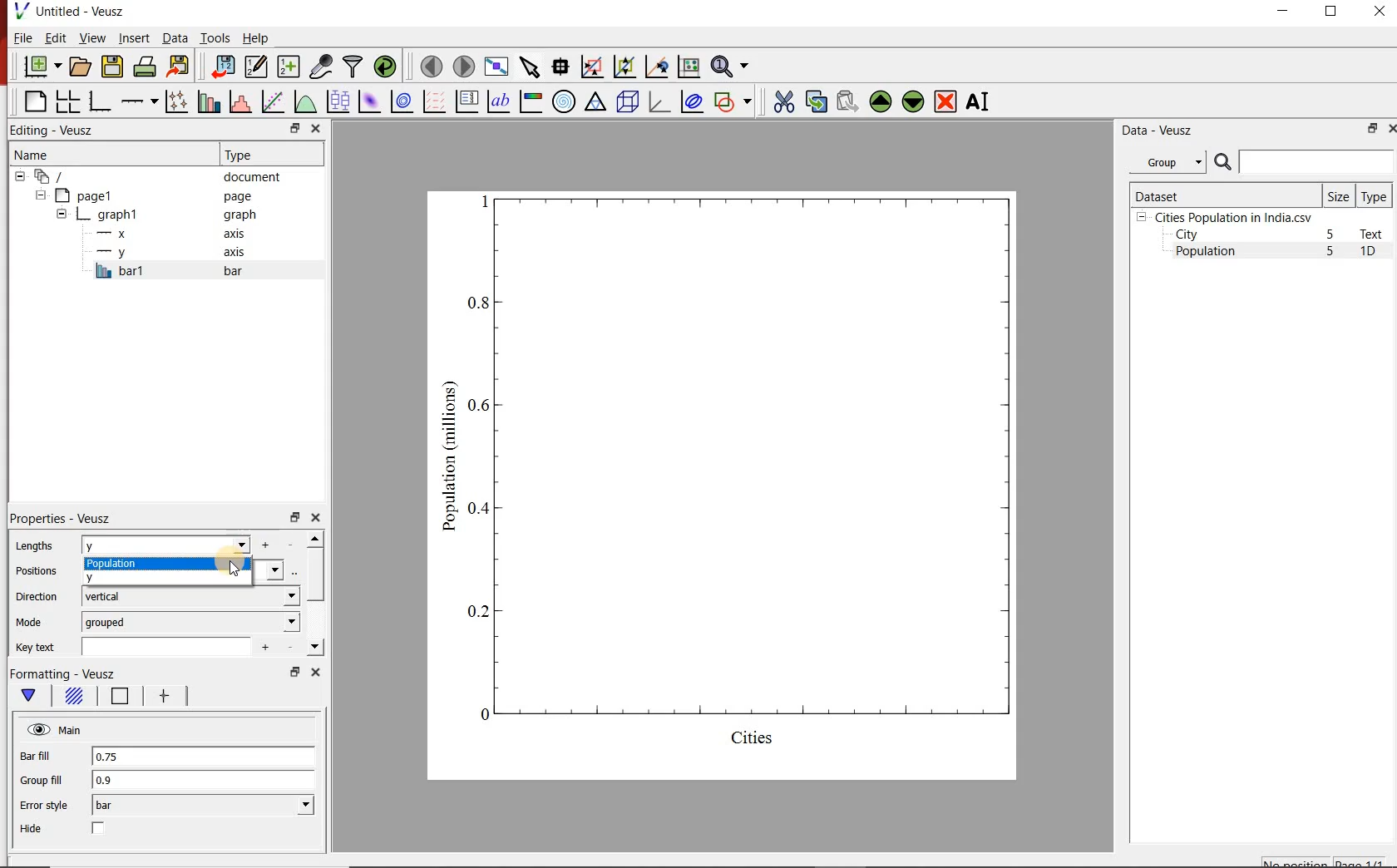 The width and height of the screenshot is (1397, 868). Describe the element at coordinates (1339, 195) in the screenshot. I see `Size` at that location.